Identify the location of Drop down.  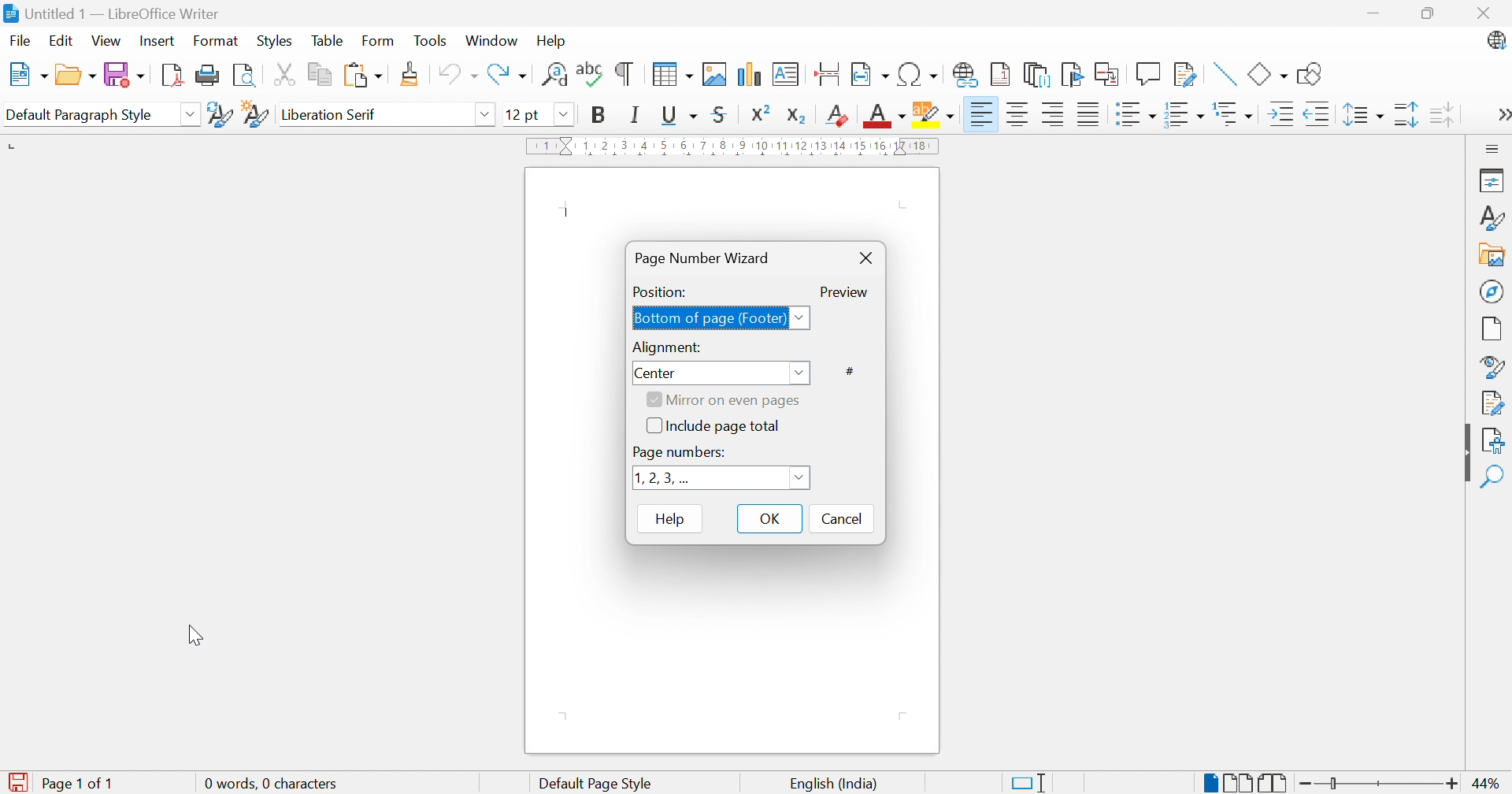
(487, 115).